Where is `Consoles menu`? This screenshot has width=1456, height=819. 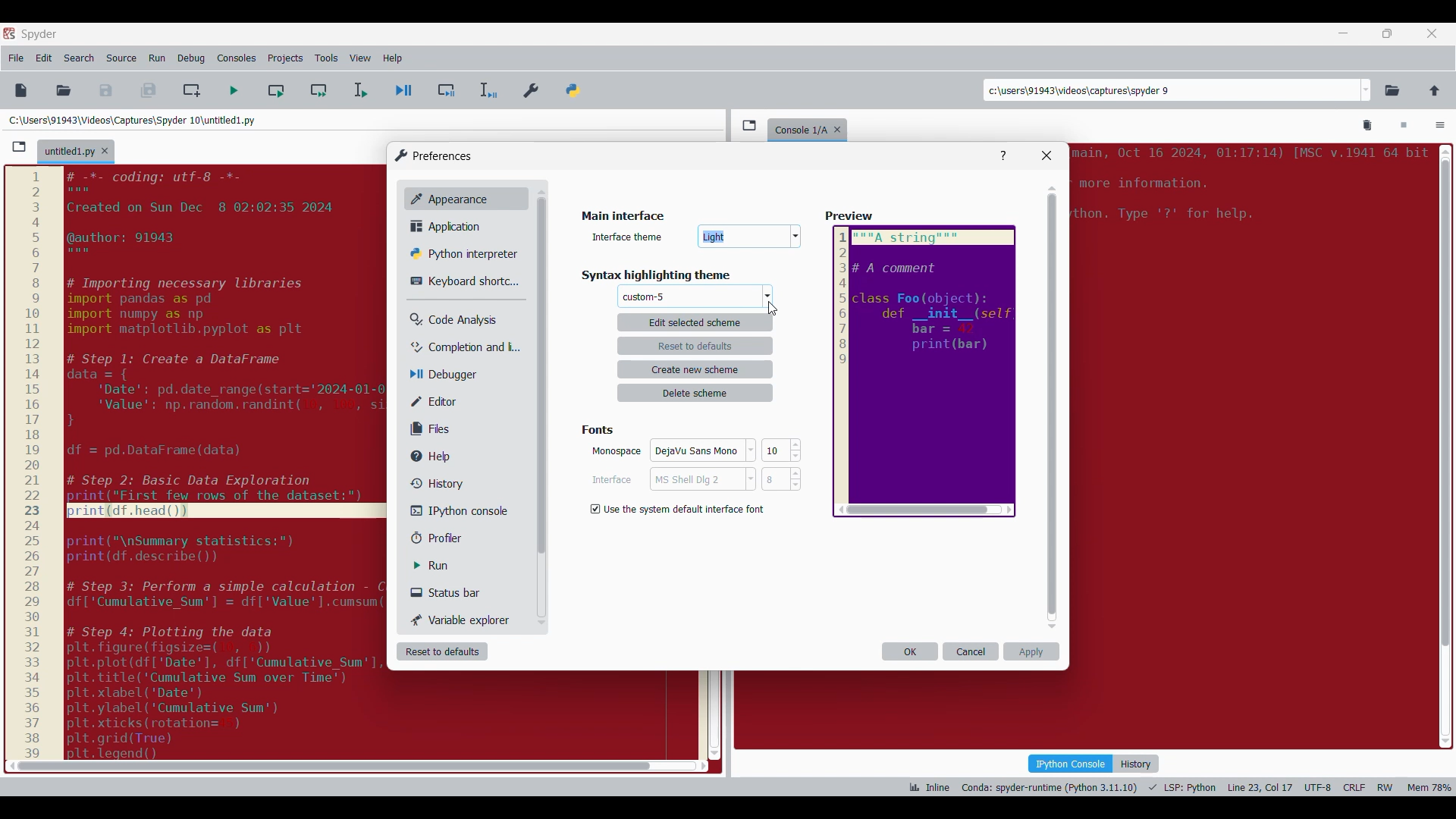 Consoles menu is located at coordinates (237, 58).